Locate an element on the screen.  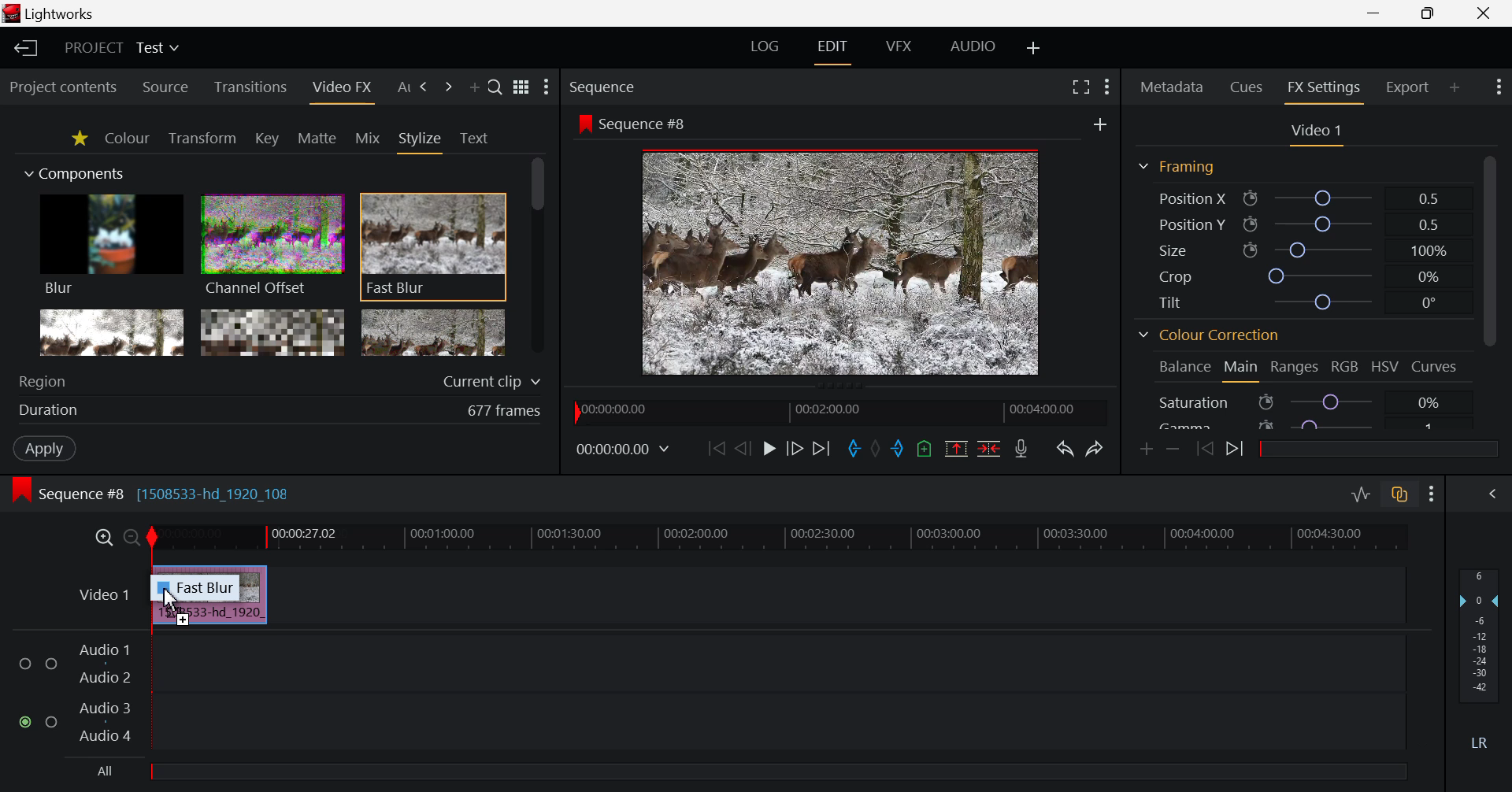
Source is located at coordinates (173, 86).